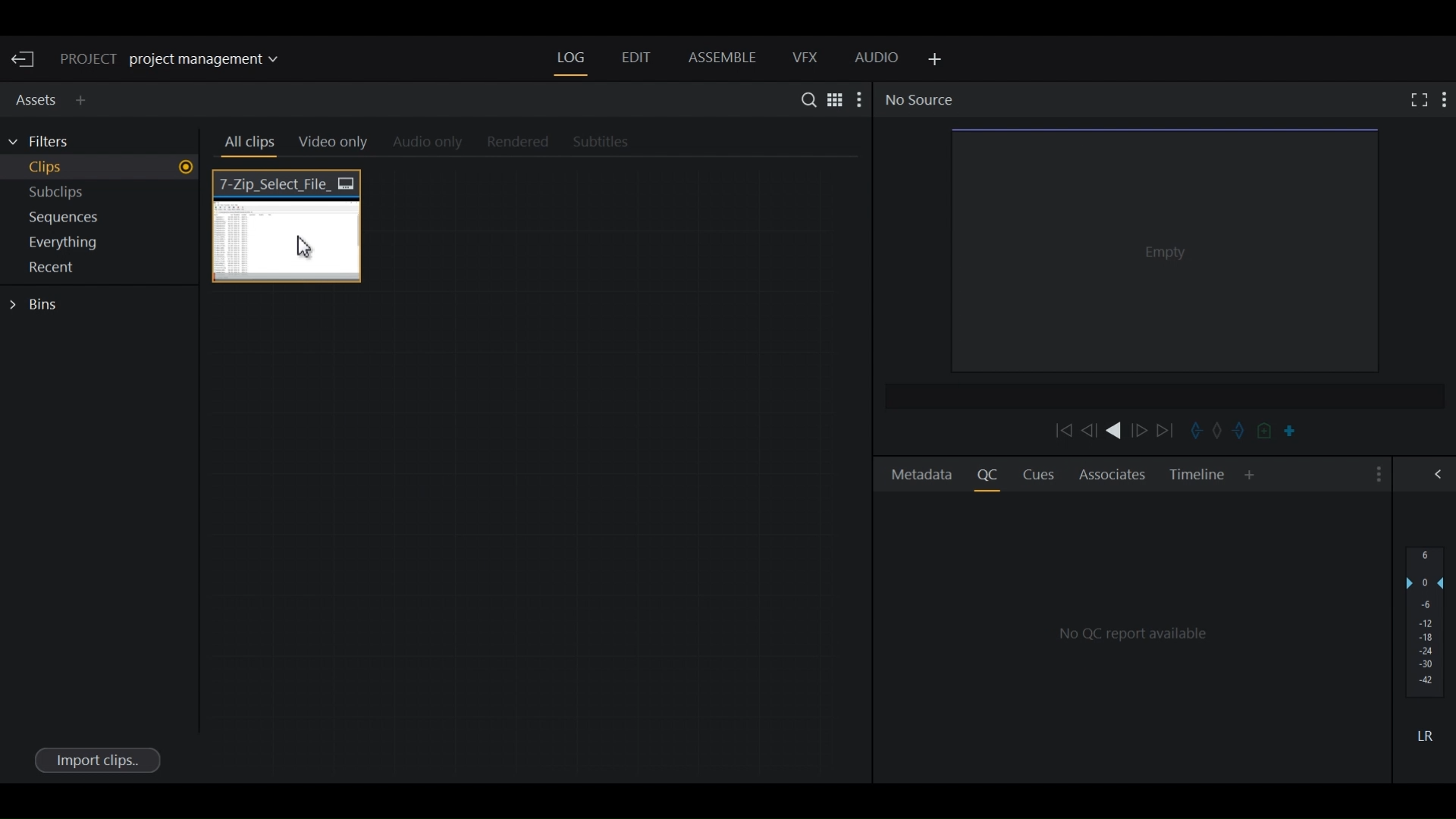  Describe the element at coordinates (805, 99) in the screenshot. I see `Search in assets and Bins` at that location.